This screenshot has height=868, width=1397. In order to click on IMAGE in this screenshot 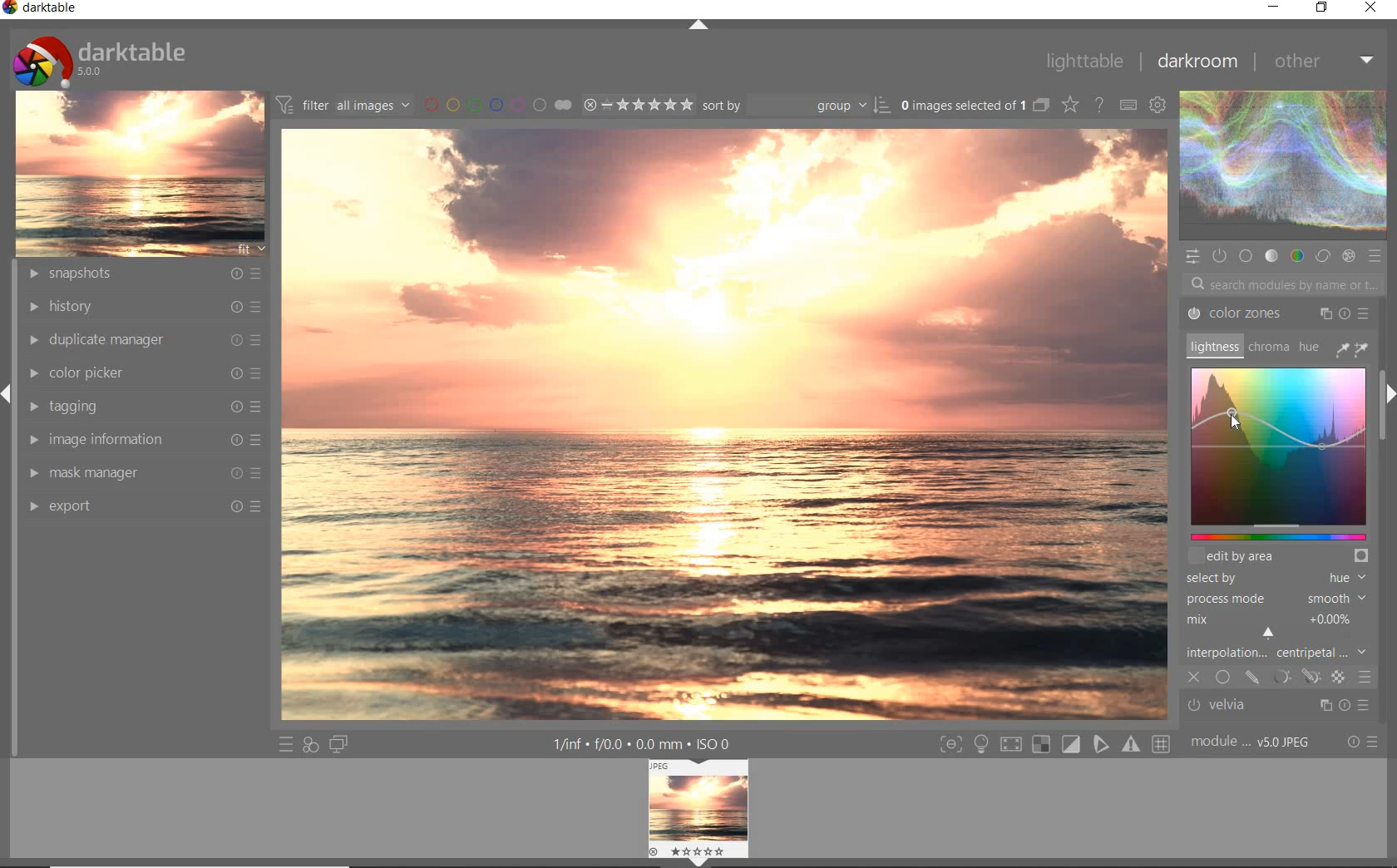, I will do `click(140, 172)`.